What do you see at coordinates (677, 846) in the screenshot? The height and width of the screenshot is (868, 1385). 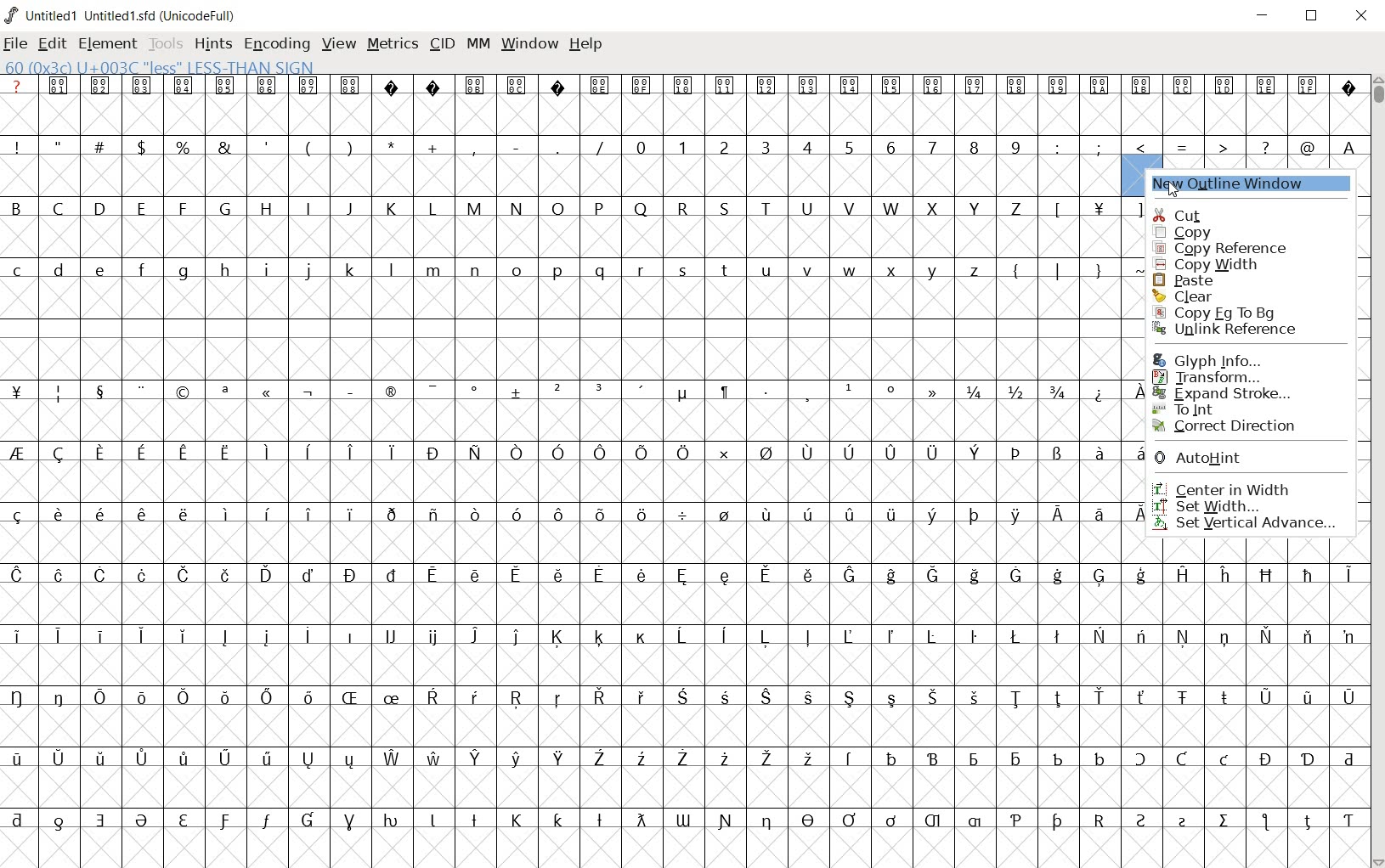 I see `empty cells` at bounding box center [677, 846].